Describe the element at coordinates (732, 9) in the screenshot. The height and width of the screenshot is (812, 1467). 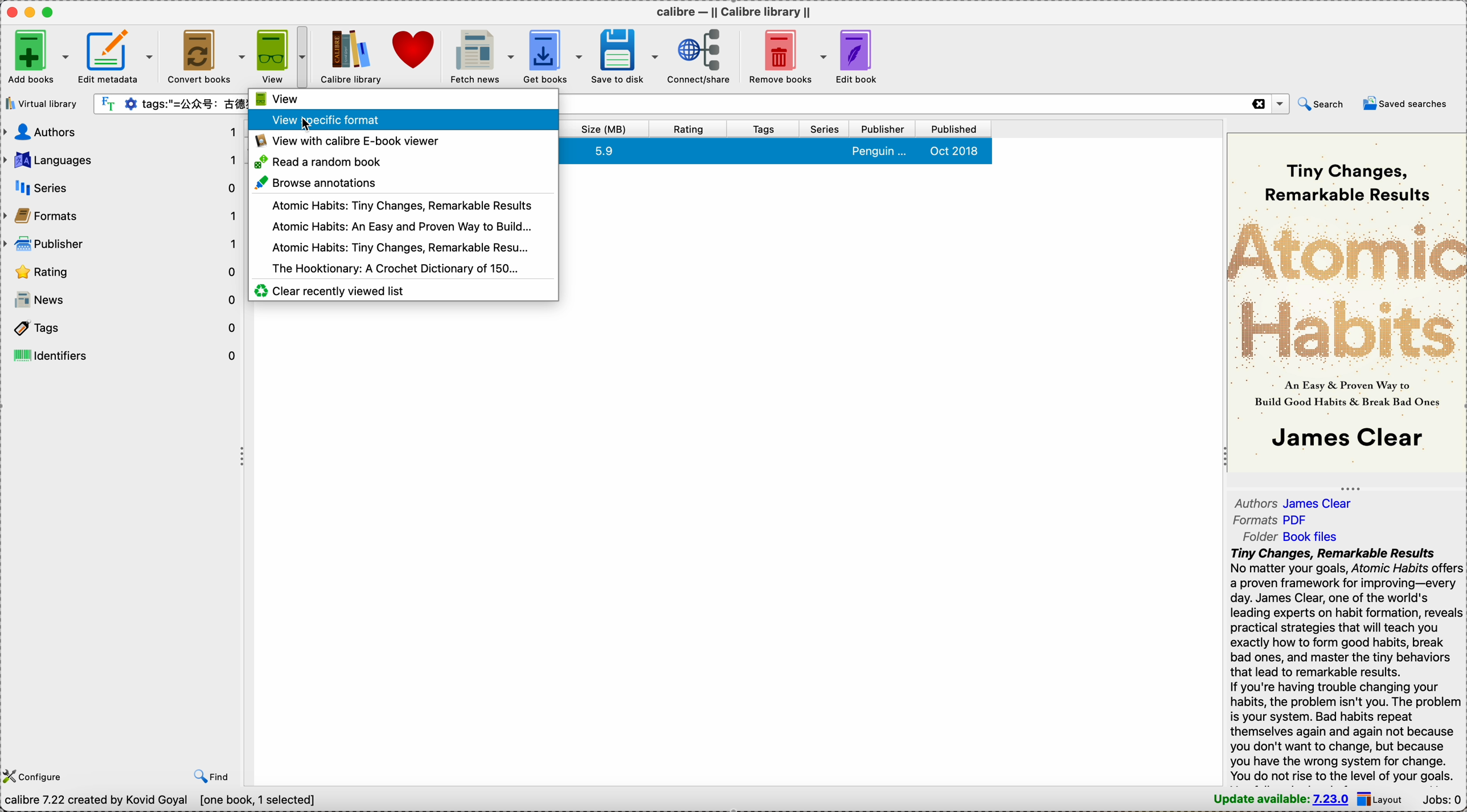
I see `Calibre` at that location.